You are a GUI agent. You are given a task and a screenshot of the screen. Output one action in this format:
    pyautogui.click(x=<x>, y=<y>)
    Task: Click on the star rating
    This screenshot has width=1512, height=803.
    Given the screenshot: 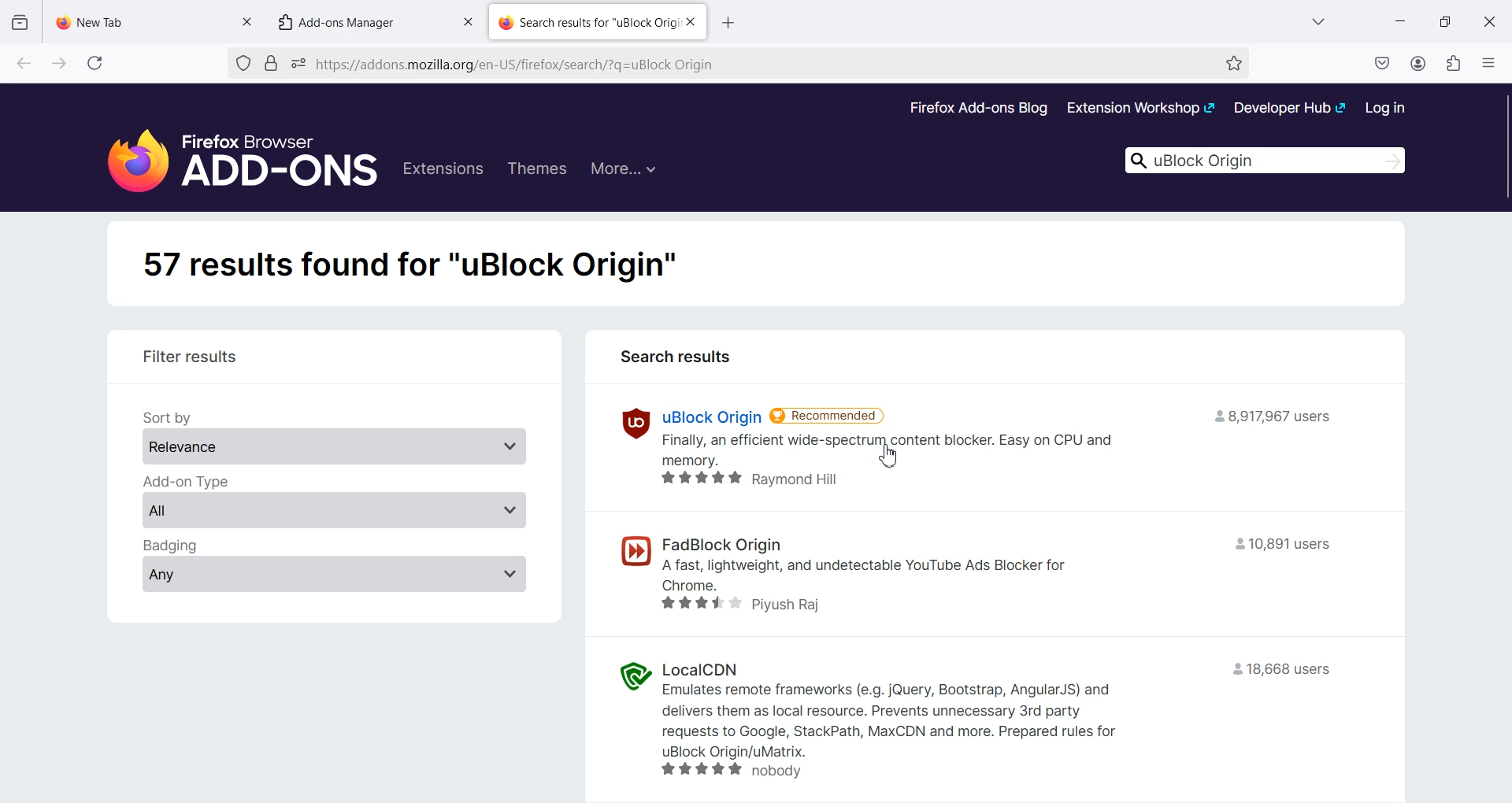 What is the action you would take?
    pyautogui.click(x=698, y=481)
    